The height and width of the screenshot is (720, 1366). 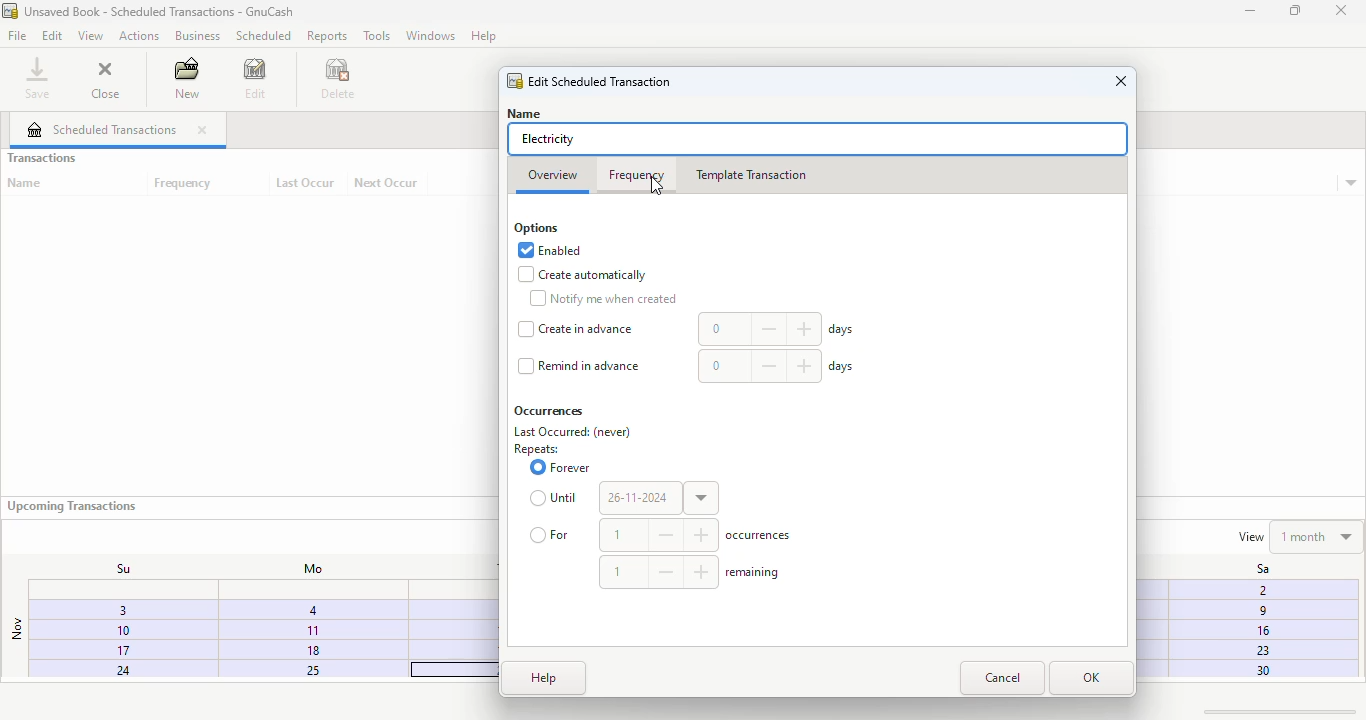 I want to click on transaction details, so click(x=1351, y=184).